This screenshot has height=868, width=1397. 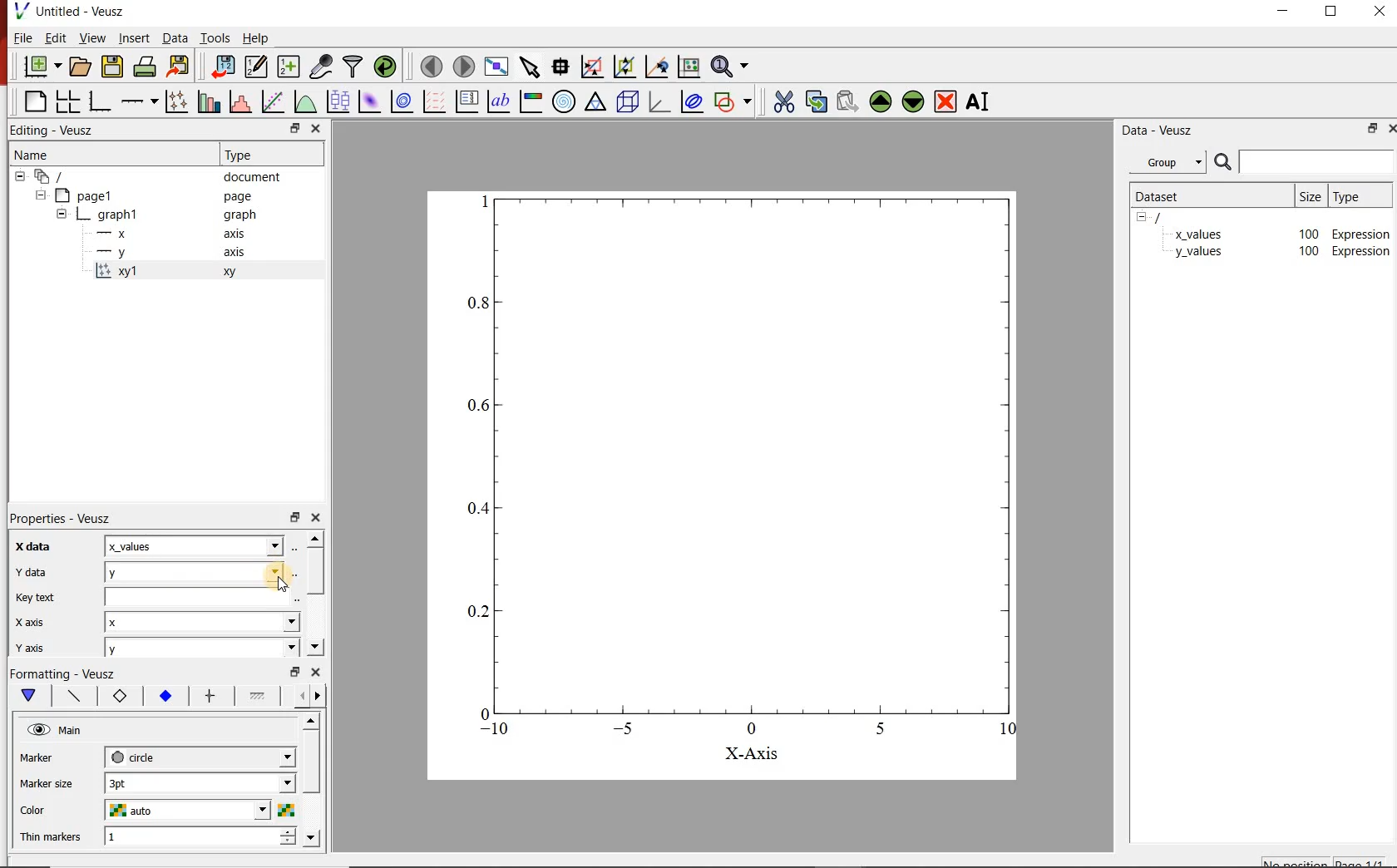 What do you see at coordinates (239, 215) in the screenshot?
I see `graph` at bounding box center [239, 215].